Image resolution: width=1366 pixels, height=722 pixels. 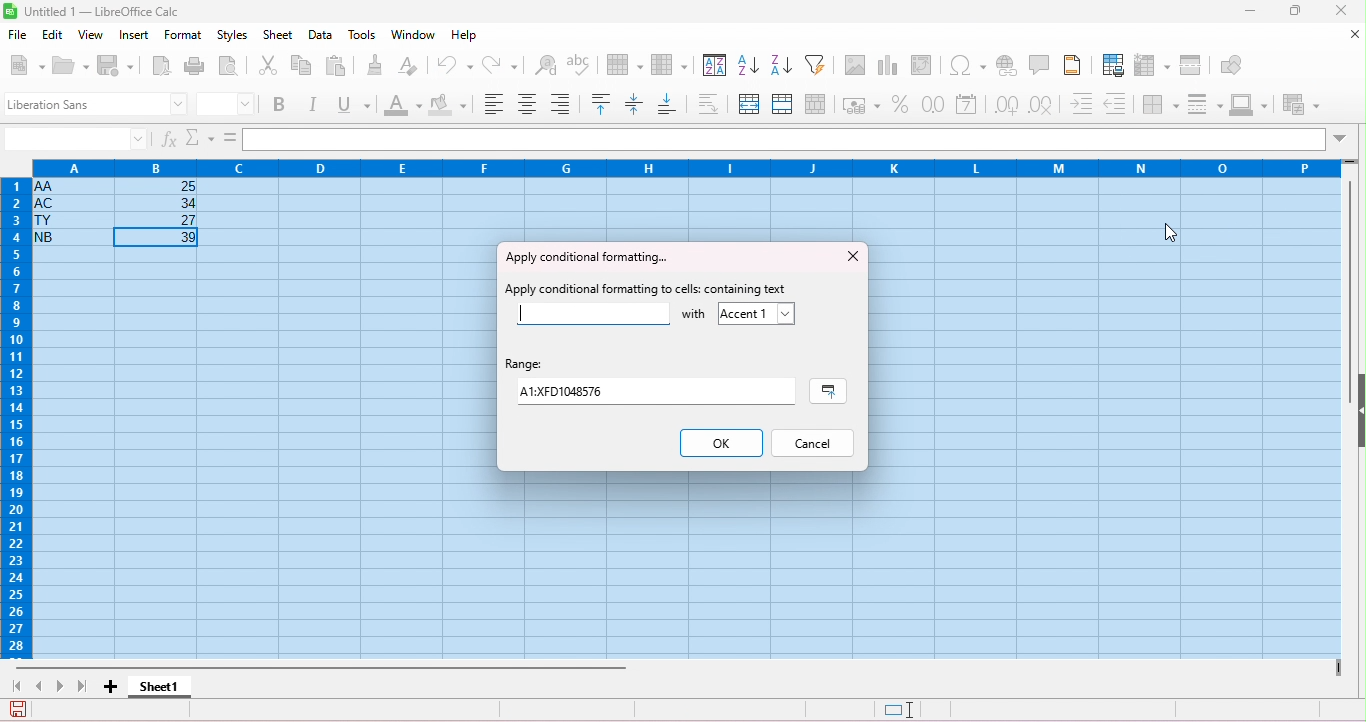 I want to click on decrease indent, so click(x=1115, y=104).